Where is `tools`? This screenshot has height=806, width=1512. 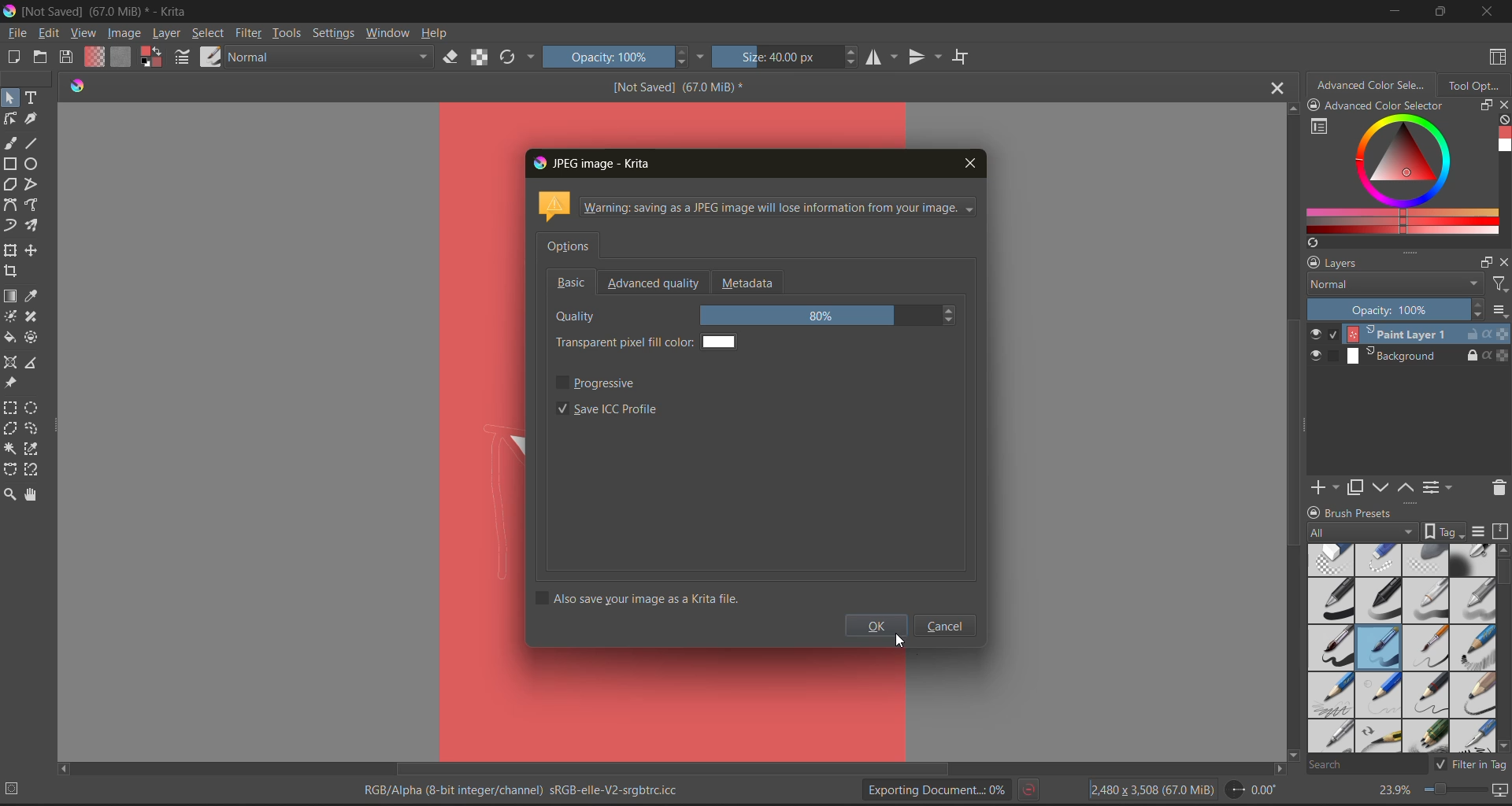 tools is located at coordinates (33, 450).